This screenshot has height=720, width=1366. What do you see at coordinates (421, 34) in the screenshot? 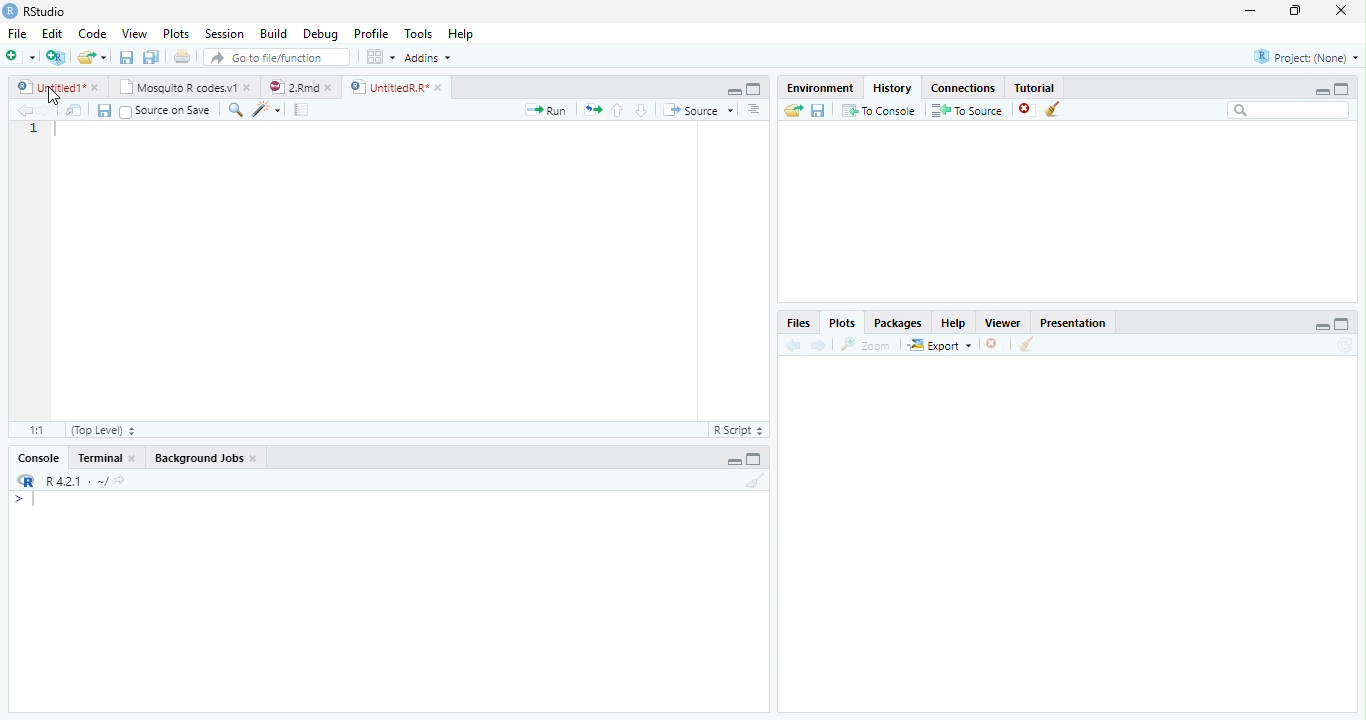
I see `Tools` at bounding box center [421, 34].